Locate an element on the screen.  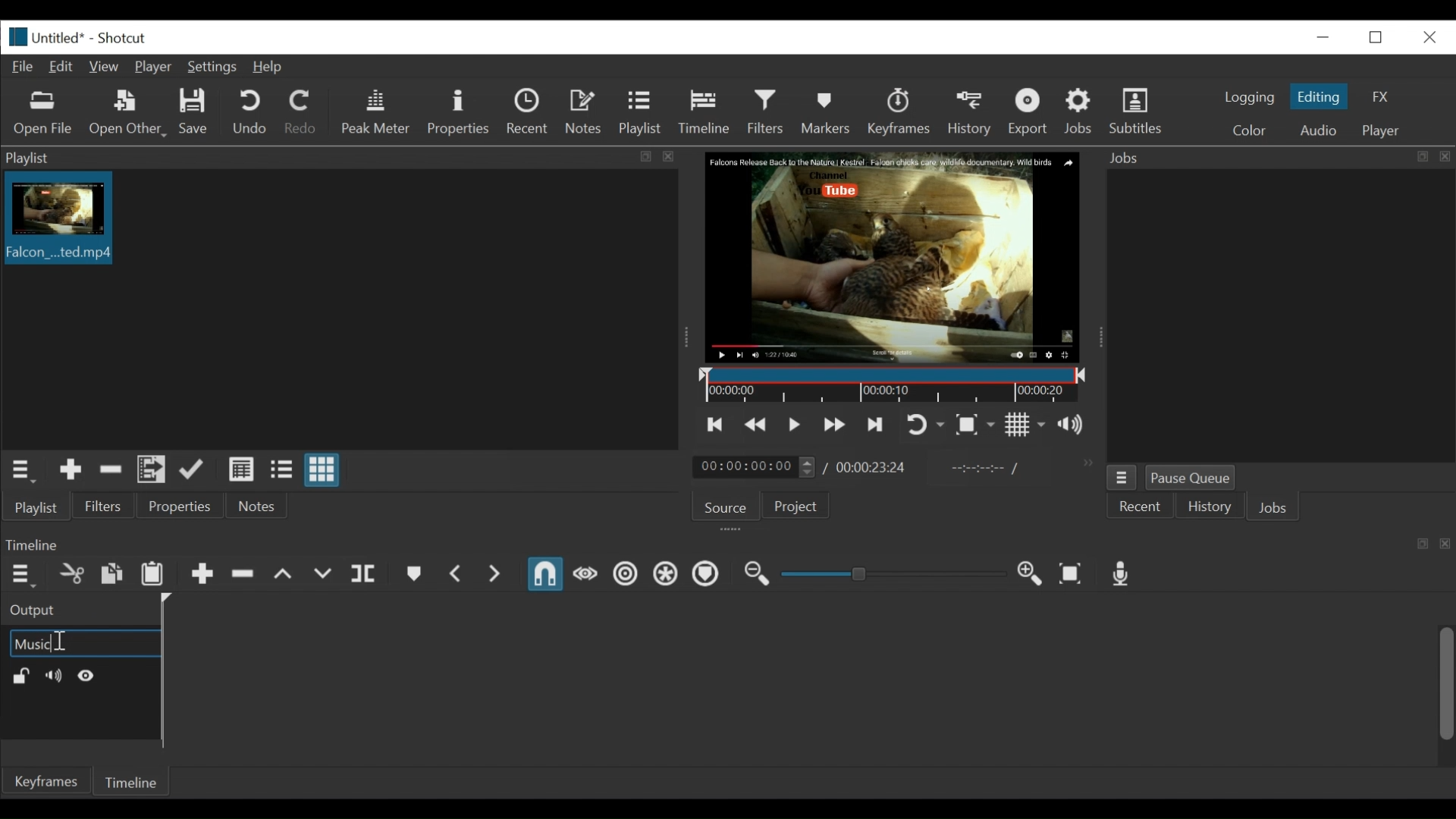
Open file is located at coordinates (42, 115).